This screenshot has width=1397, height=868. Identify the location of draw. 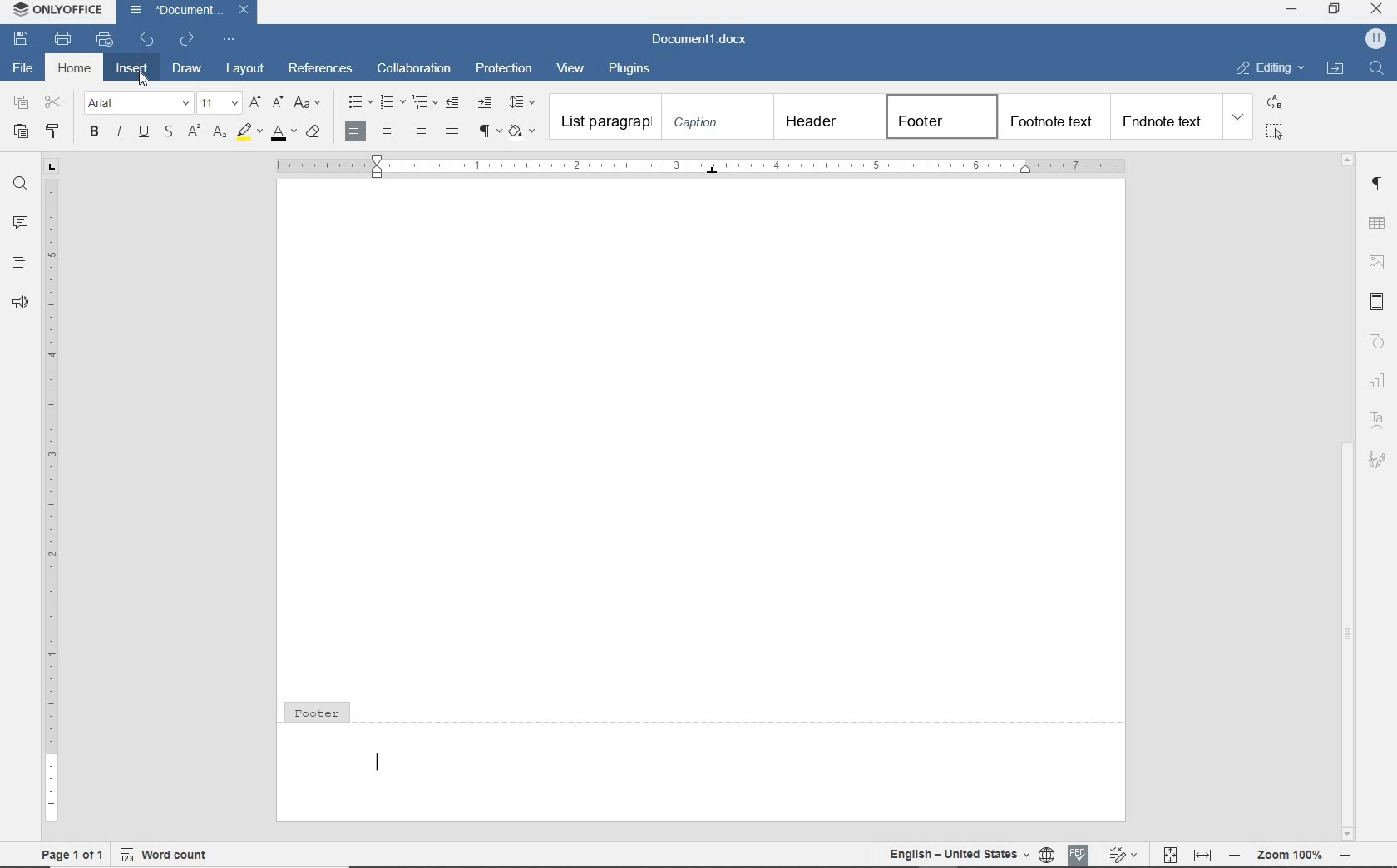
(186, 70).